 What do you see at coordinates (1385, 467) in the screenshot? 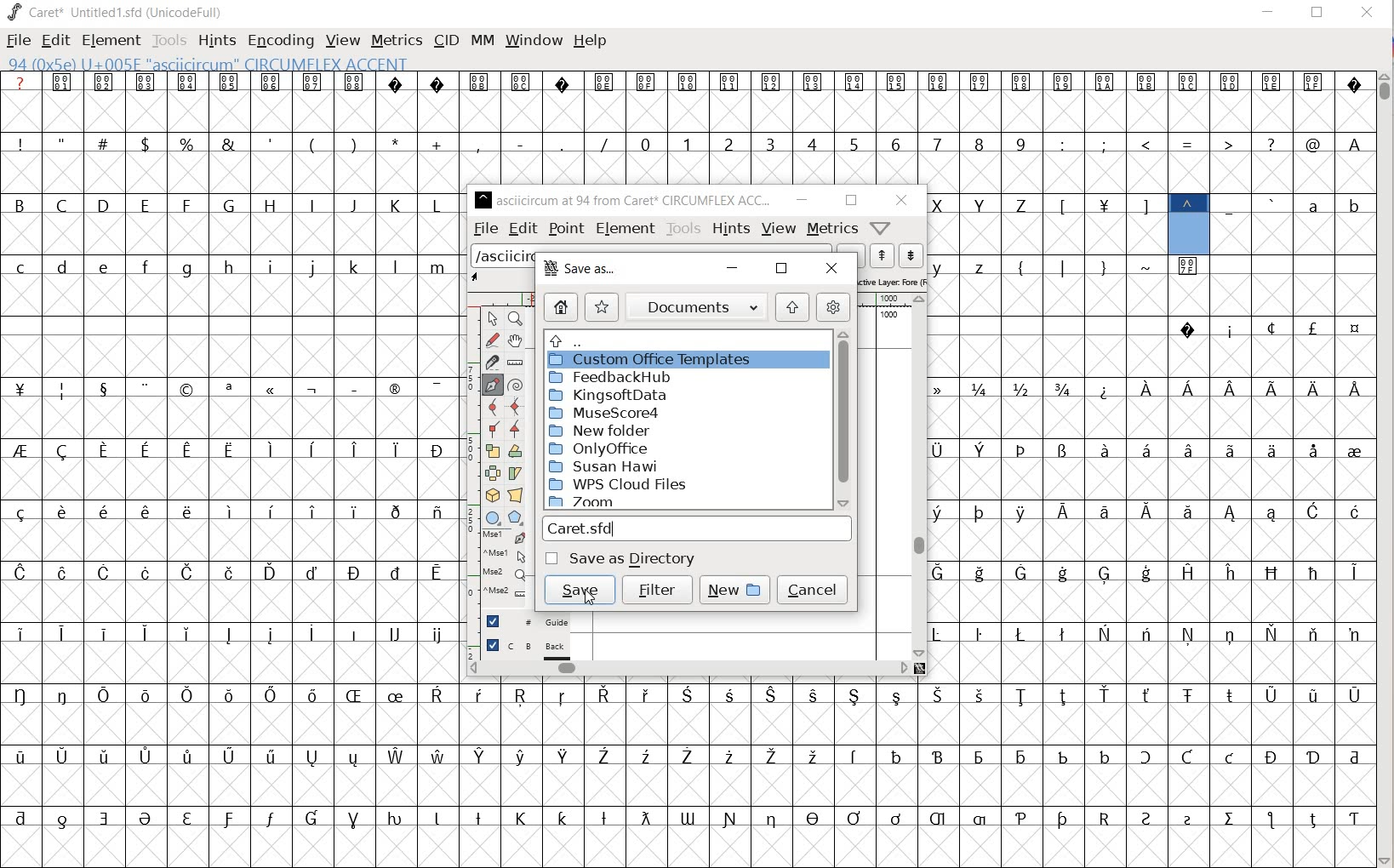
I see `SCROLLBAR` at bounding box center [1385, 467].